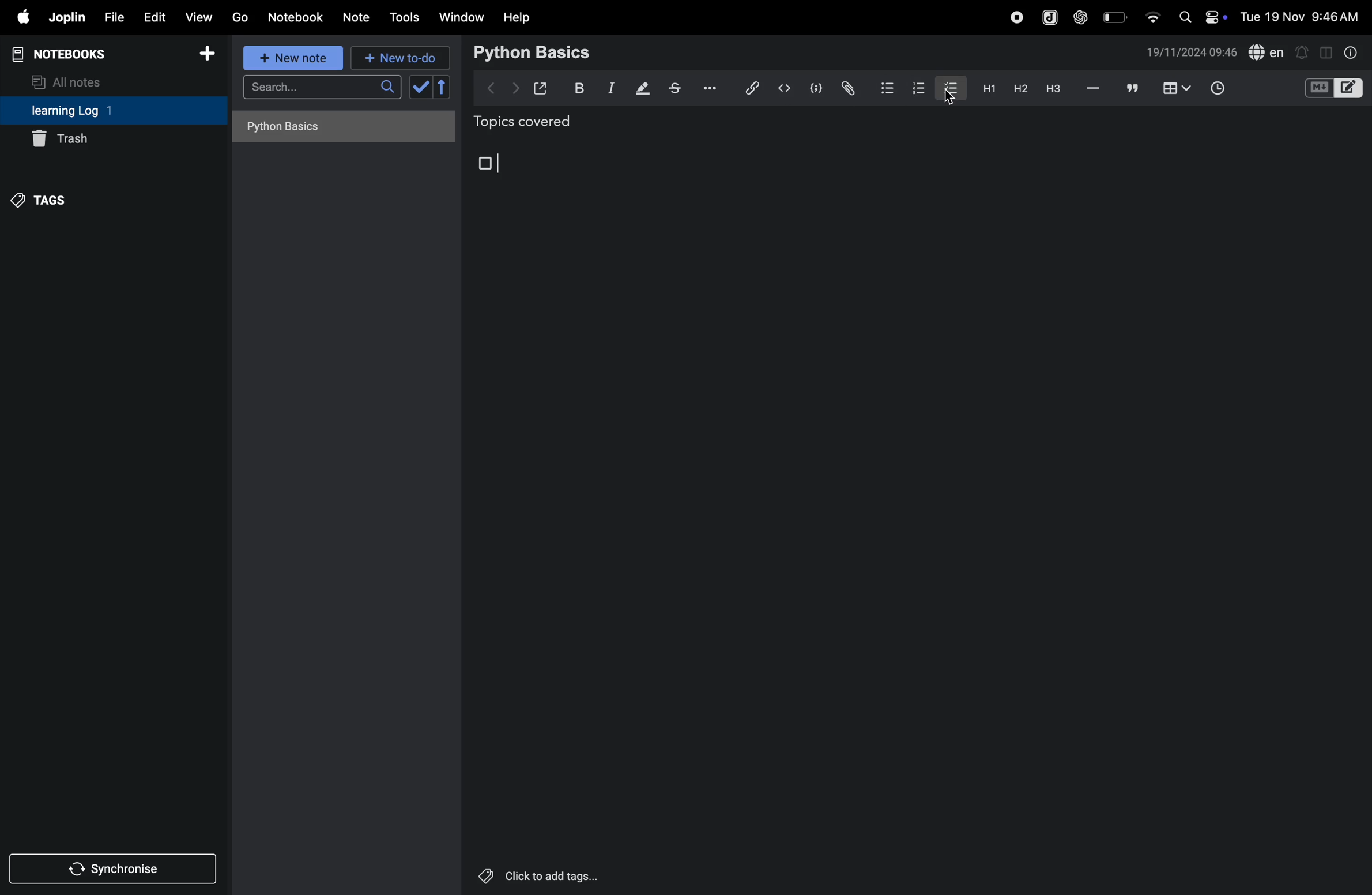 The width and height of the screenshot is (1372, 895). Describe the element at coordinates (113, 138) in the screenshot. I see `trash` at that location.